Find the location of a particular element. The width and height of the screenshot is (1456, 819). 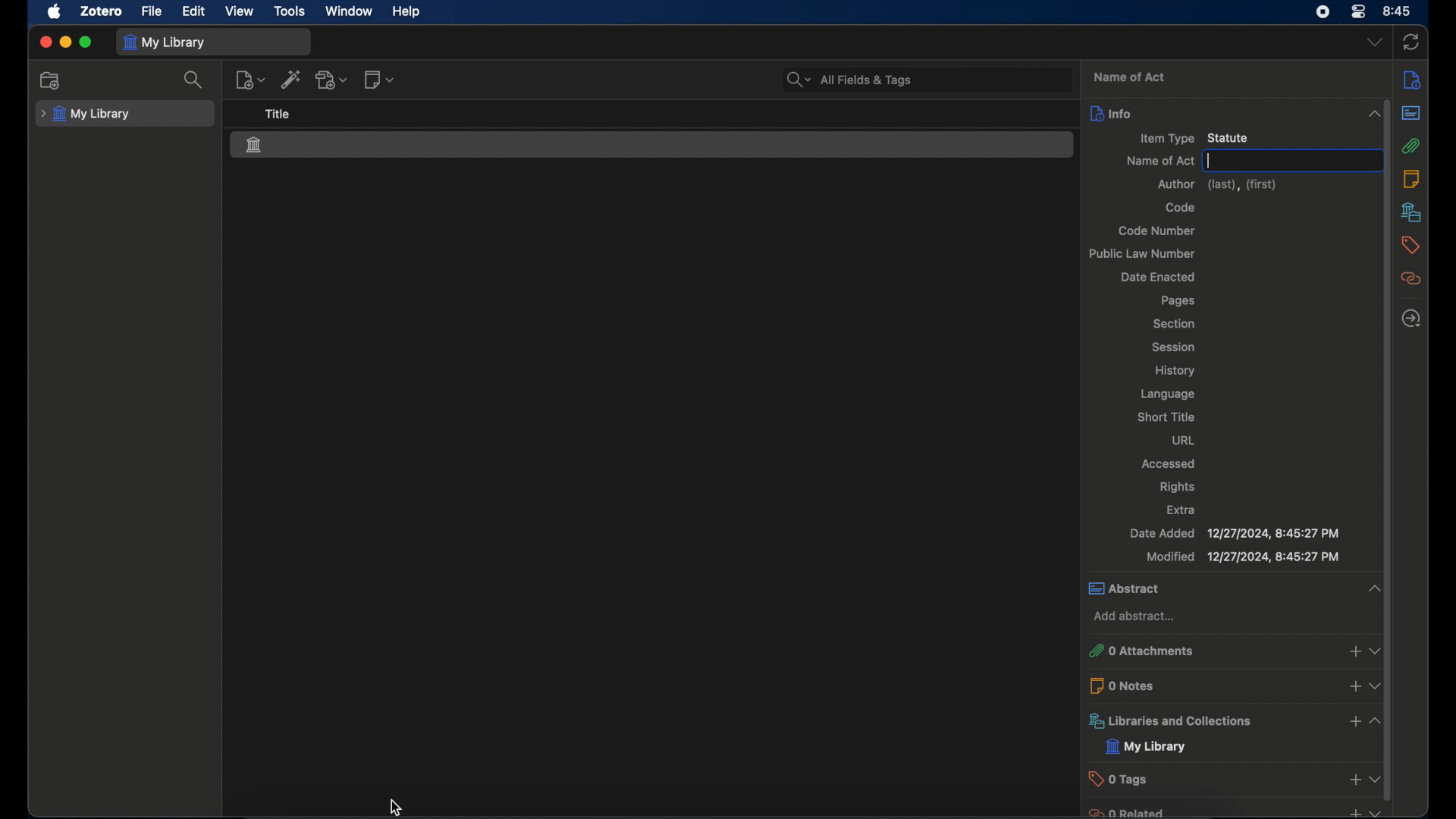

file is located at coordinates (151, 11).